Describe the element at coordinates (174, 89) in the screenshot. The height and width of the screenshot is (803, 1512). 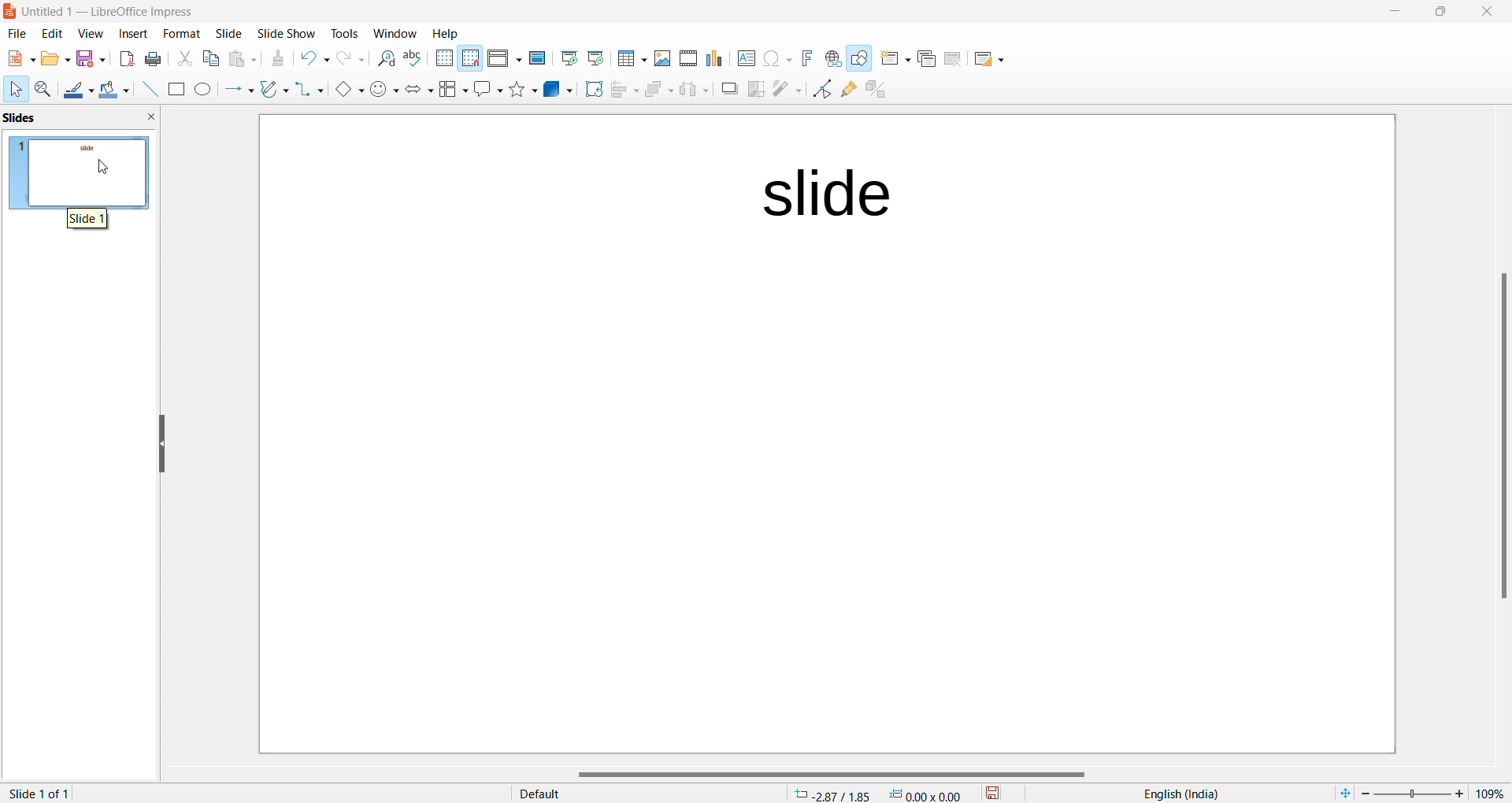
I see `Rectangle` at that location.